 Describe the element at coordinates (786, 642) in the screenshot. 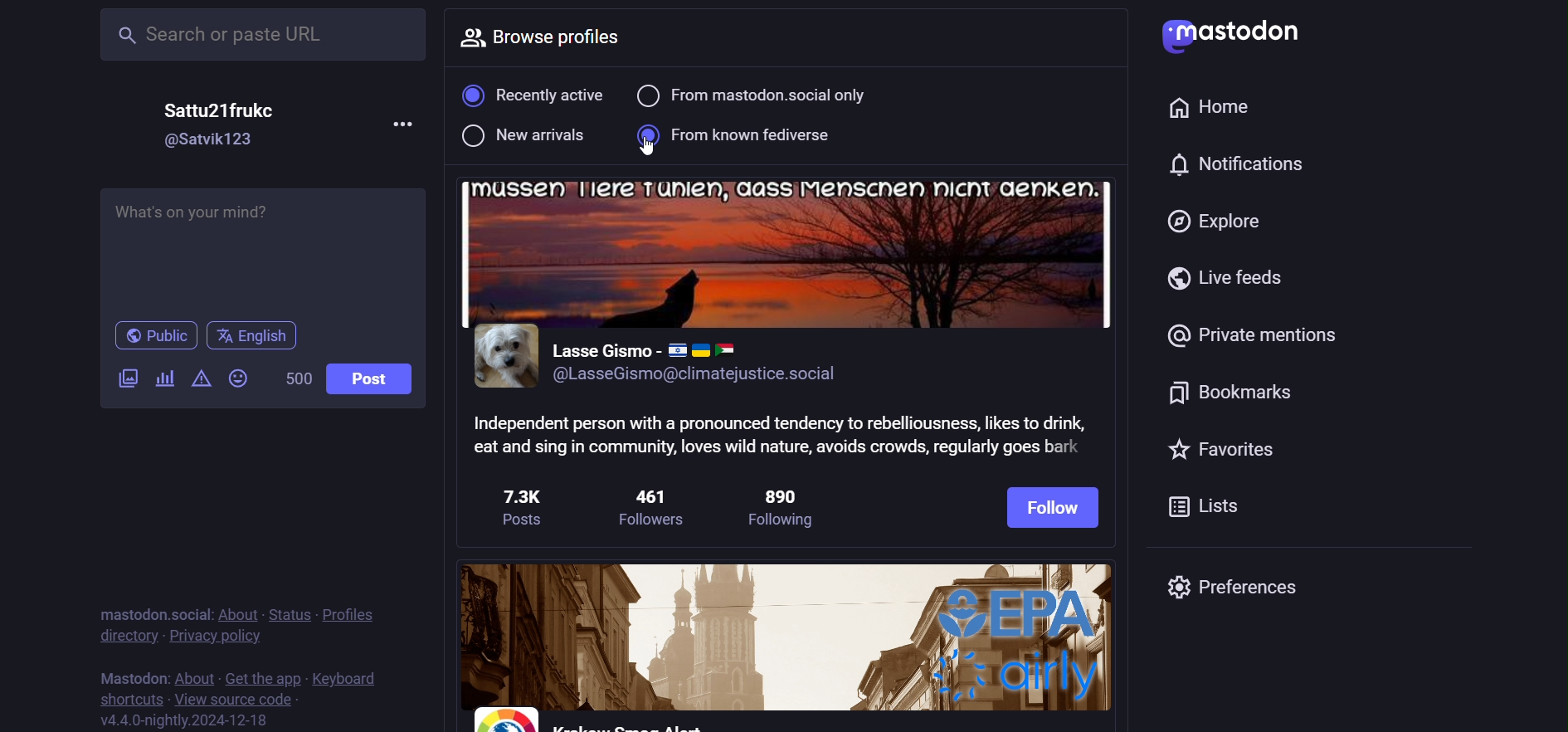

I see `other profiles` at that location.